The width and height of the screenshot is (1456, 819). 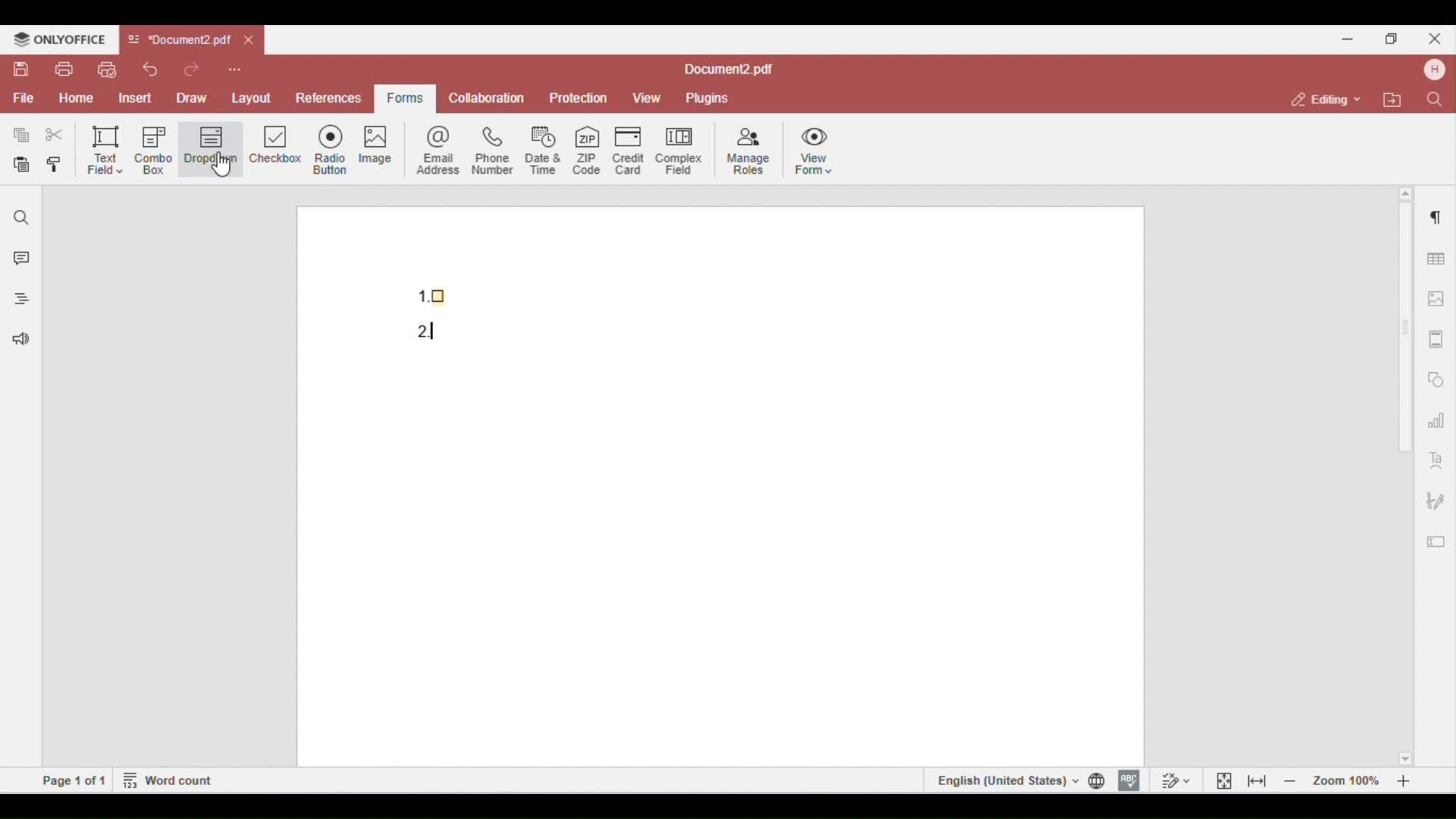 What do you see at coordinates (1433, 99) in the screenshot?
I see `find` at bounding box center [1433, 99].